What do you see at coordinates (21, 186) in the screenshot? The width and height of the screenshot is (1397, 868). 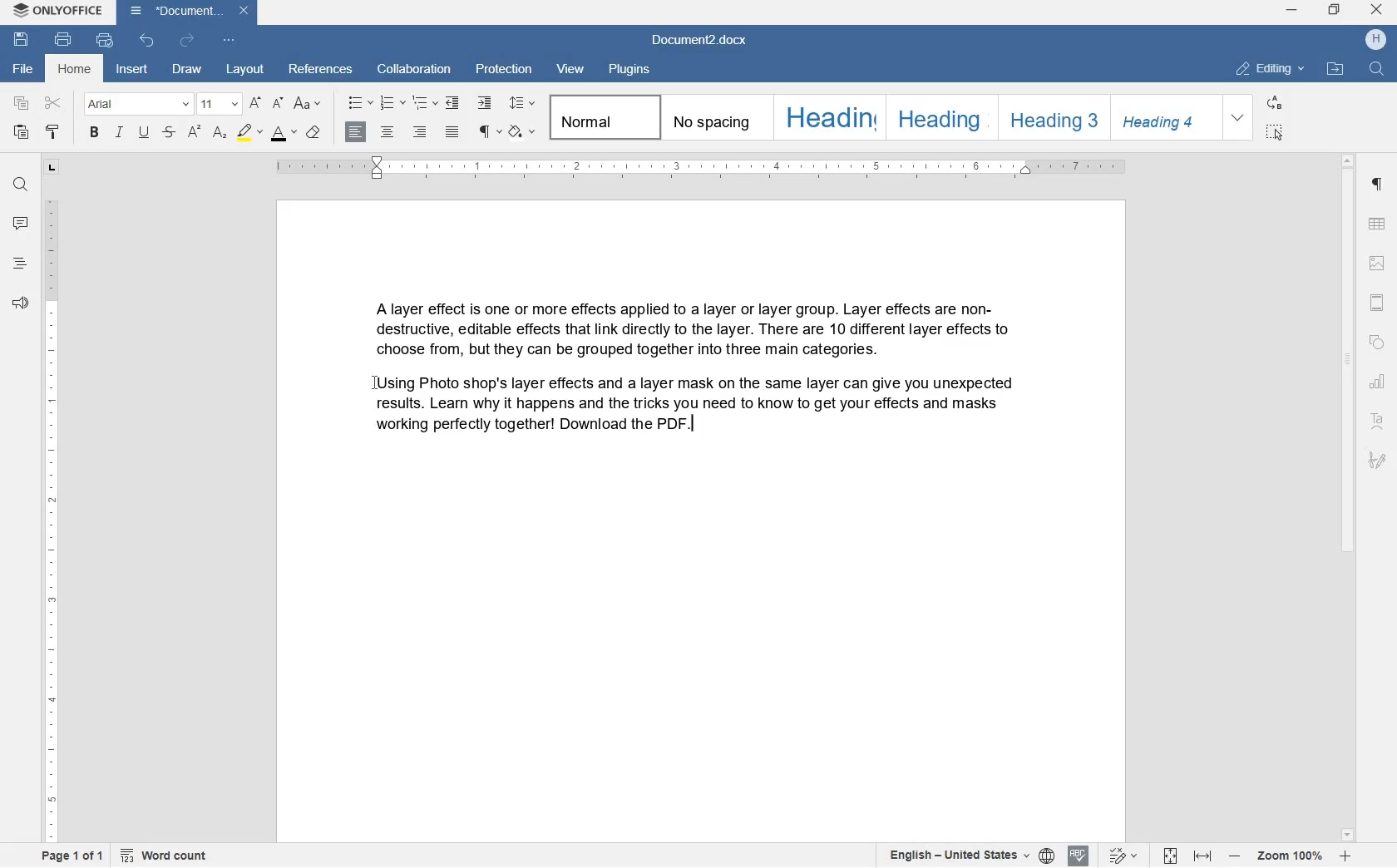 I see `FIND` at bounding box center [21, 186].